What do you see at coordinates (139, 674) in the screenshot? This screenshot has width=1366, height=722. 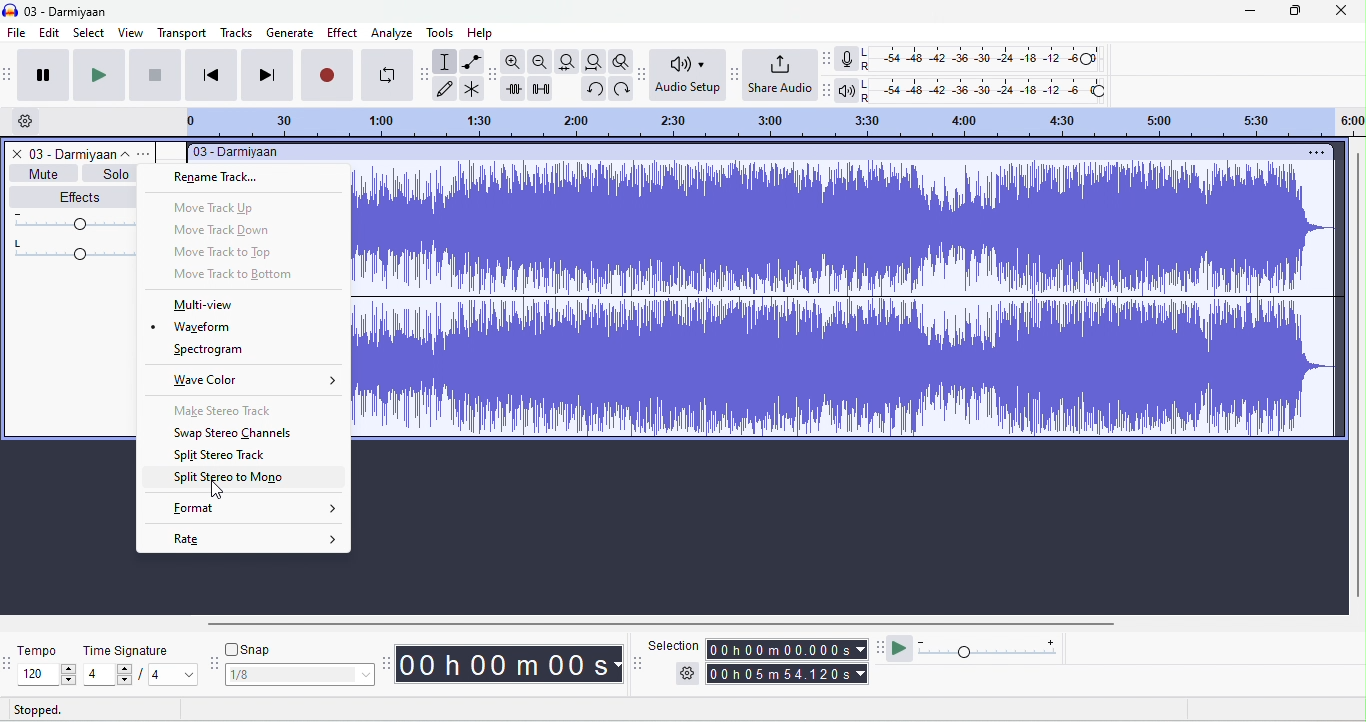 I see `select time signature` at bounding box center [139, 674].